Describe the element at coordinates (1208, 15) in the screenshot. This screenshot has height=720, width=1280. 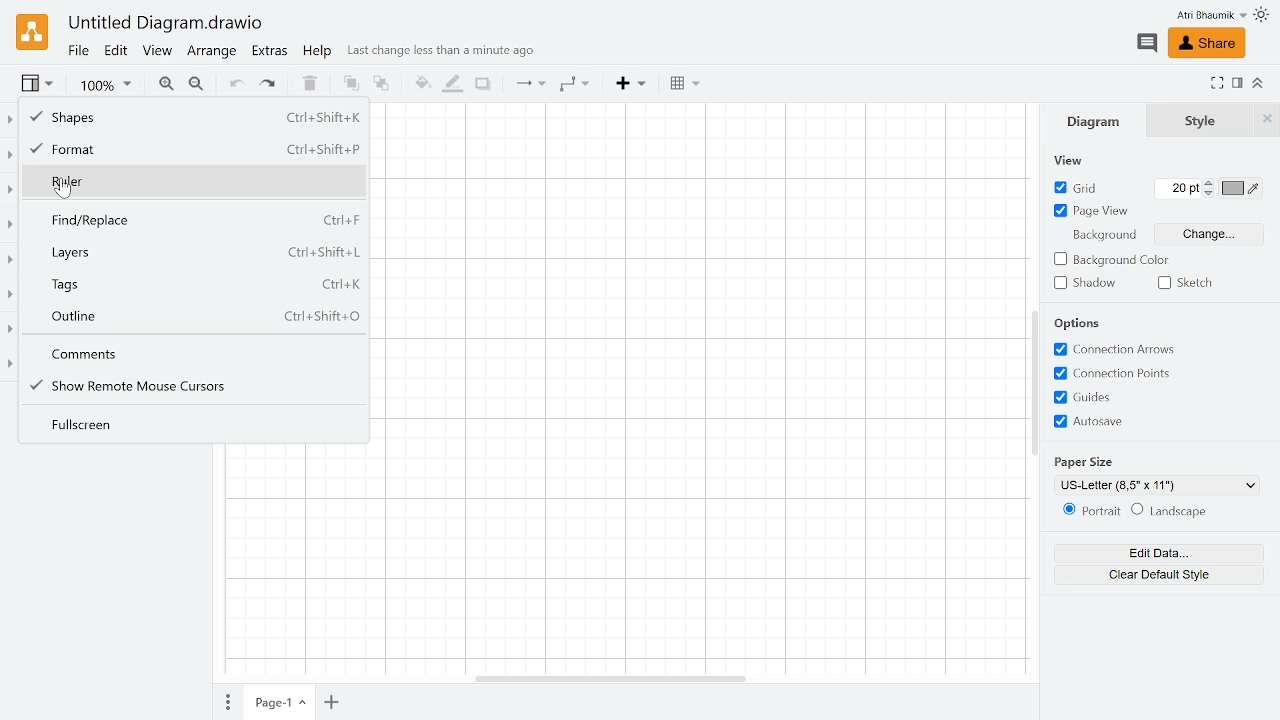
I see `Profile` at that location.